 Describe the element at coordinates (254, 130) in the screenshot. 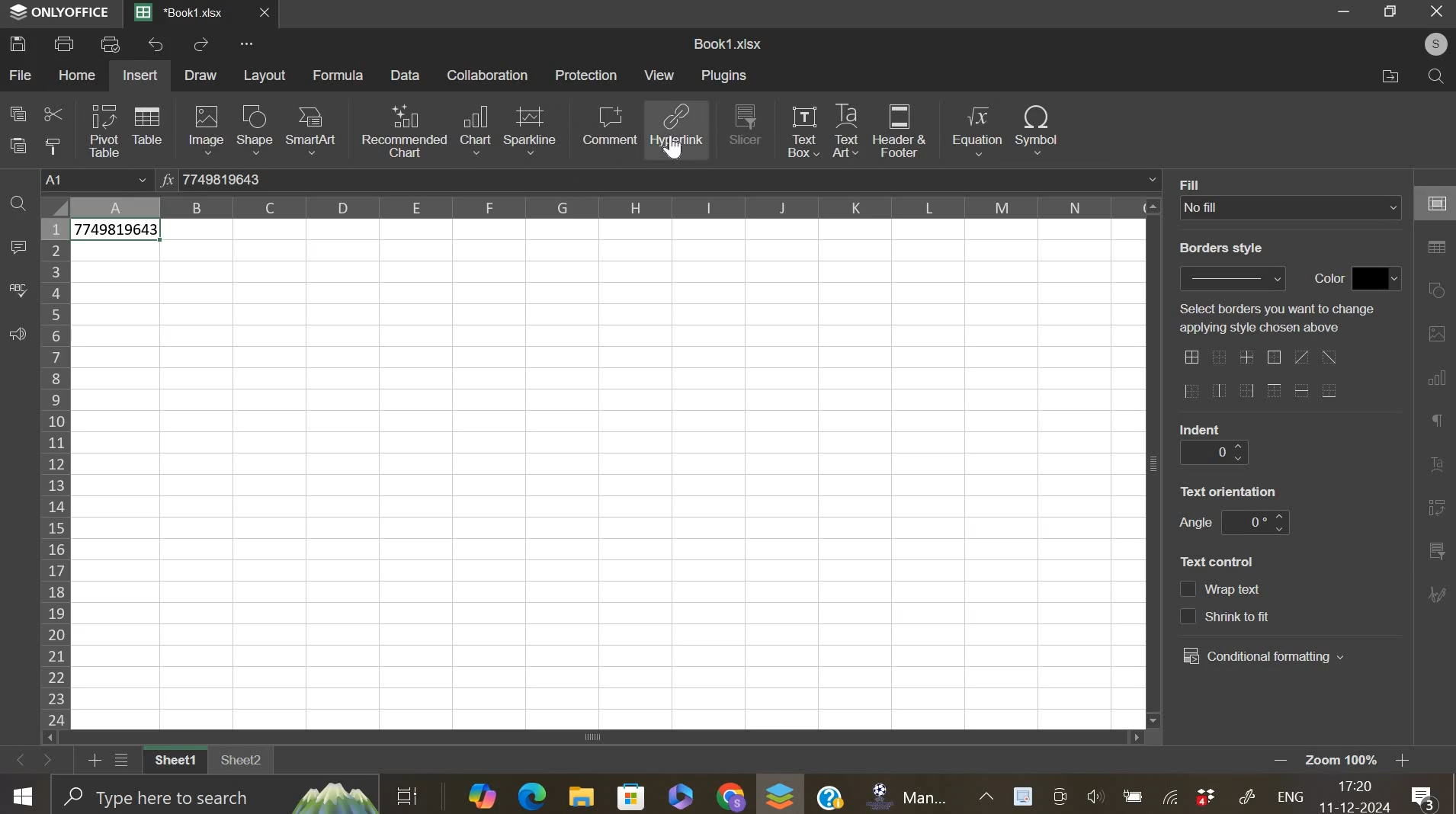

I see `shape` at that location.